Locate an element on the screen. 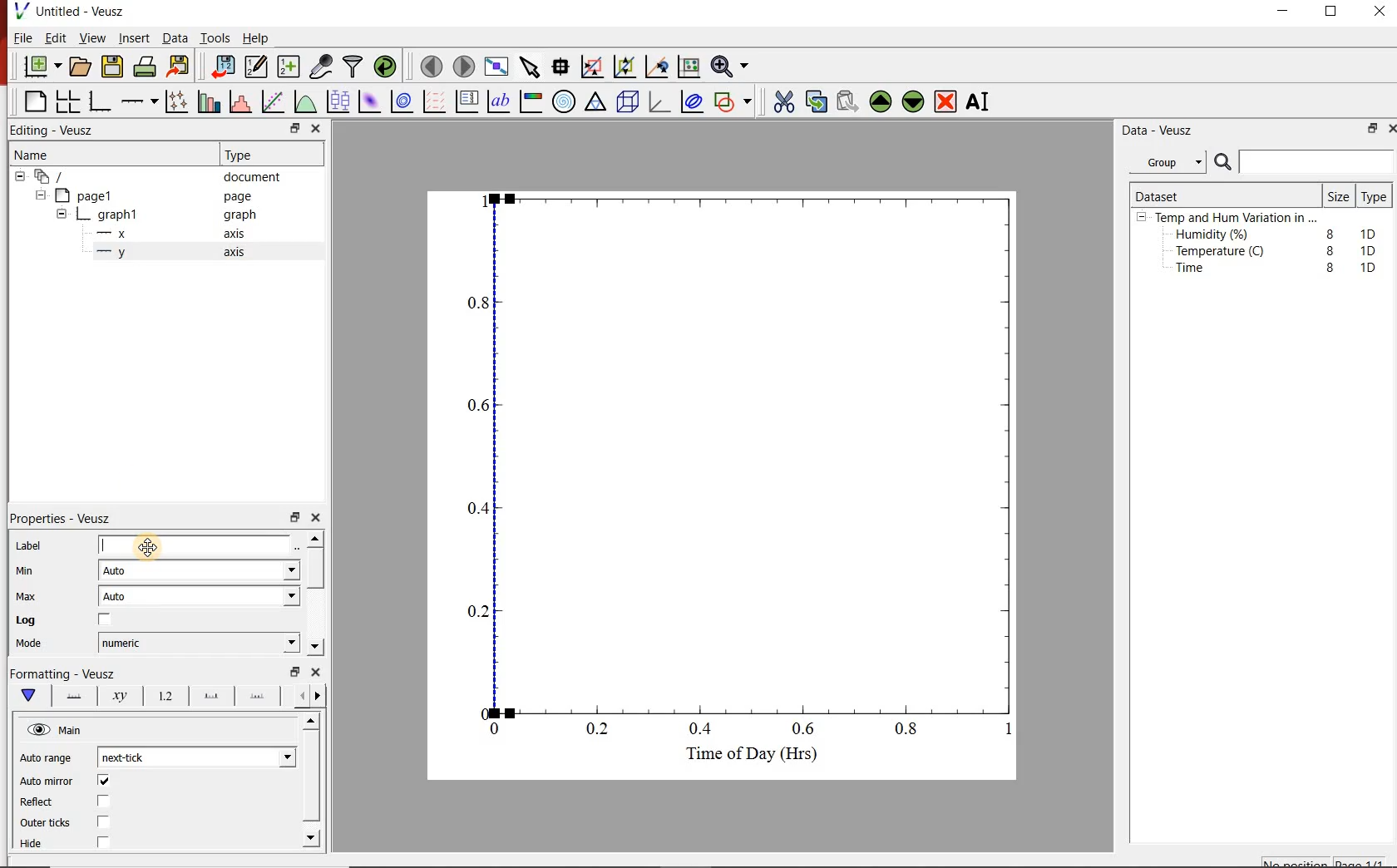  x is located at coordinates (120, 234).